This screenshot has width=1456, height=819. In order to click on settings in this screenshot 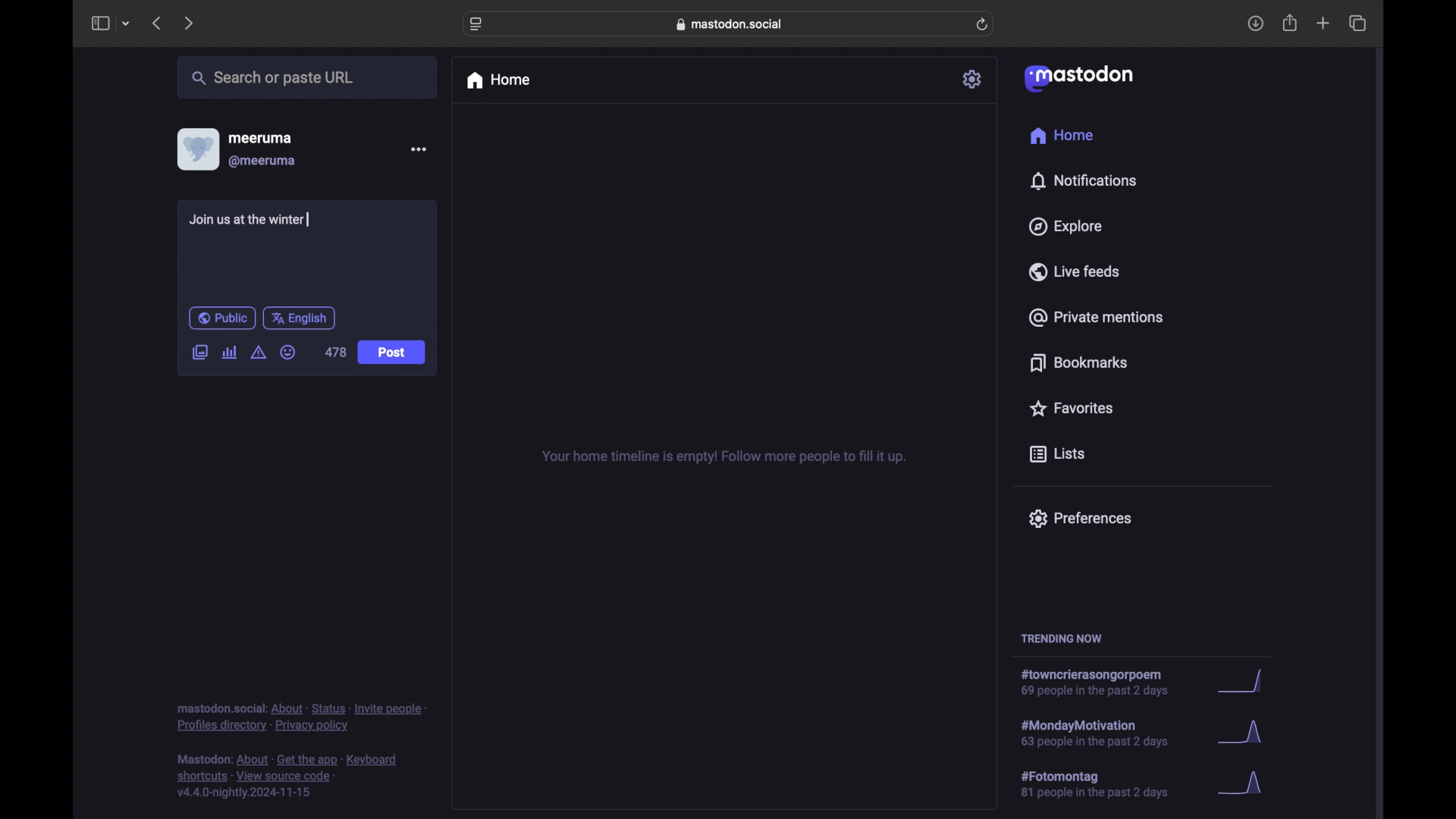, I will do `click(974, 79)`.